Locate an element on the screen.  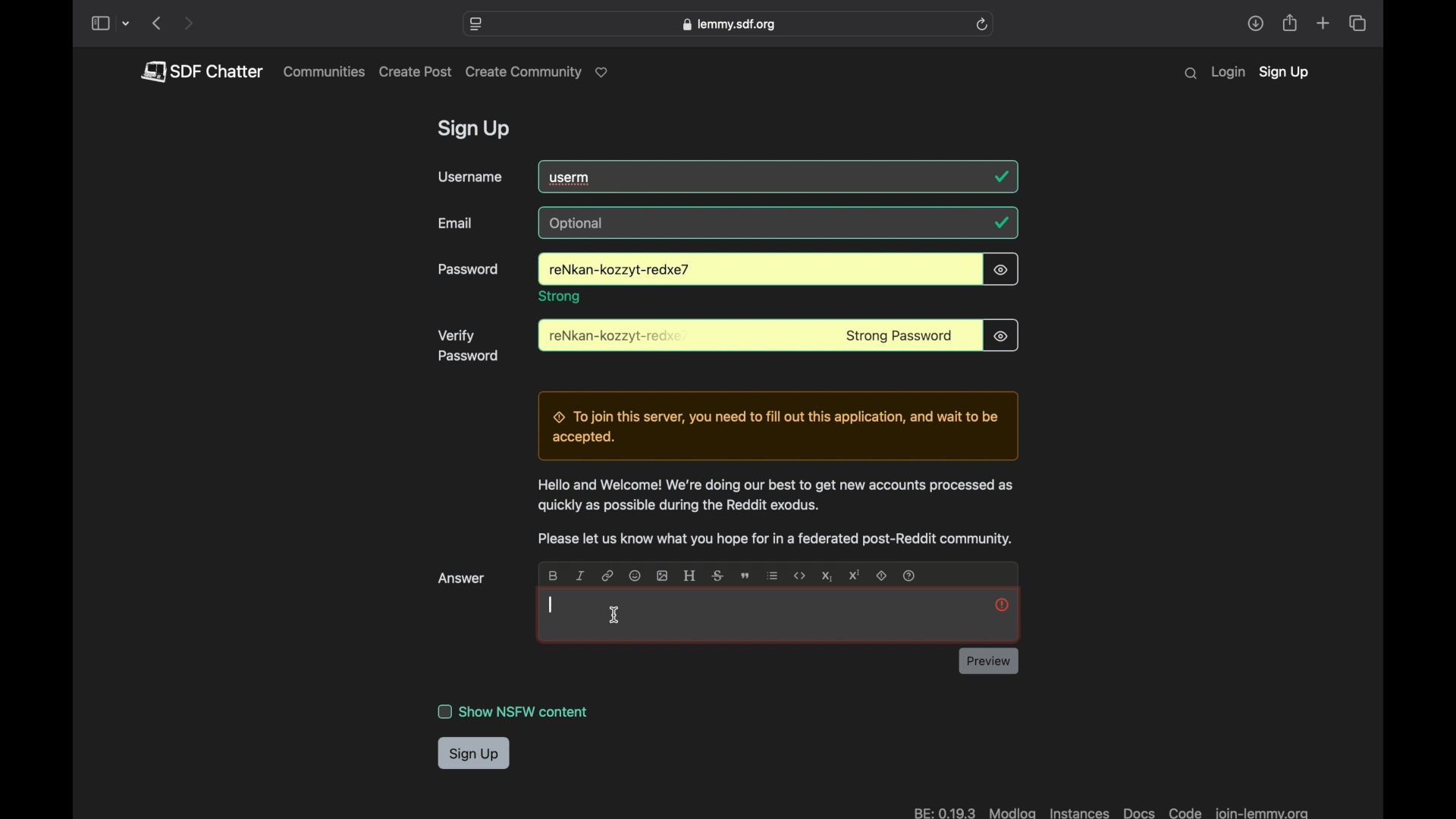
password is located at coordinates (469, 270).